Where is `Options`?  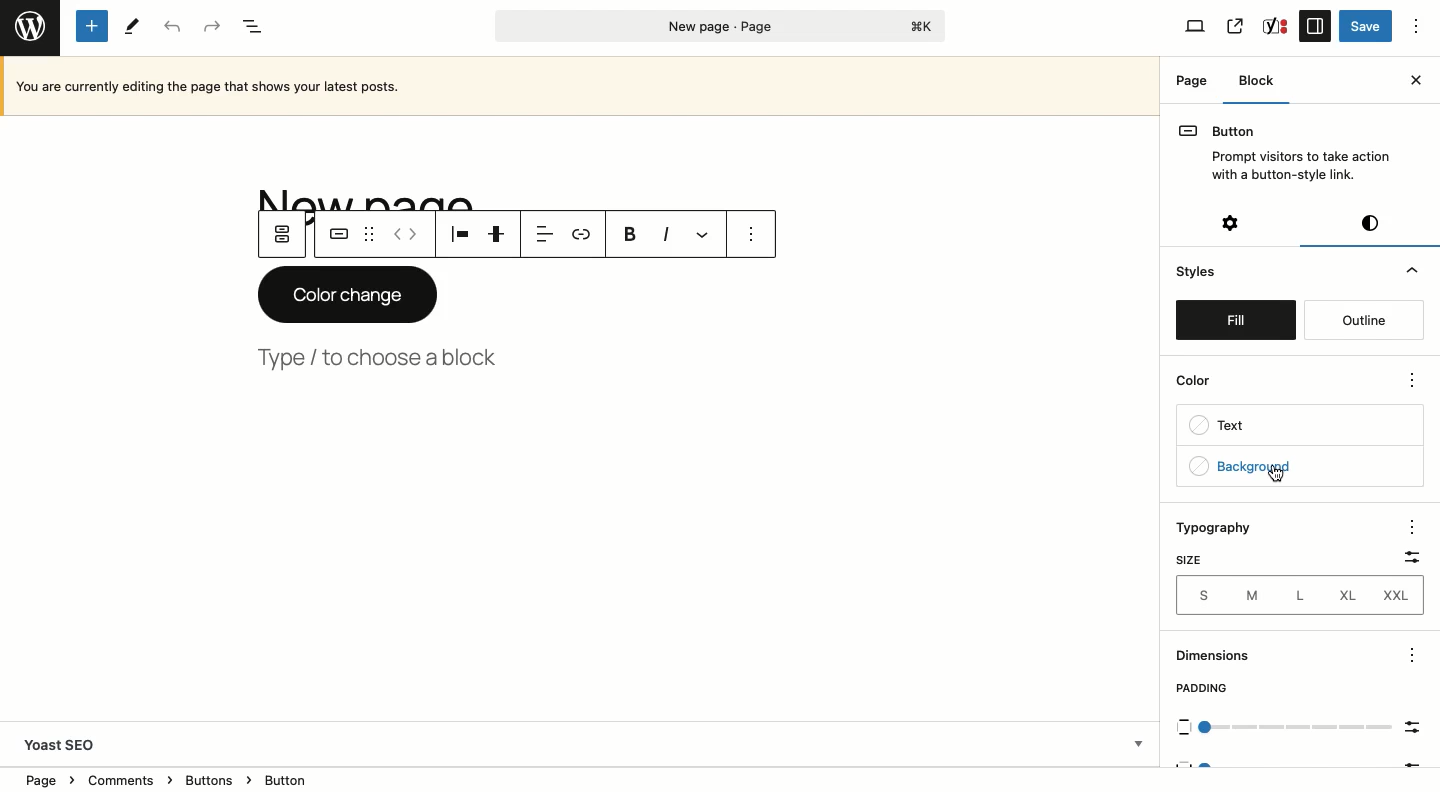 Options is located at coordinates (1415, 26).